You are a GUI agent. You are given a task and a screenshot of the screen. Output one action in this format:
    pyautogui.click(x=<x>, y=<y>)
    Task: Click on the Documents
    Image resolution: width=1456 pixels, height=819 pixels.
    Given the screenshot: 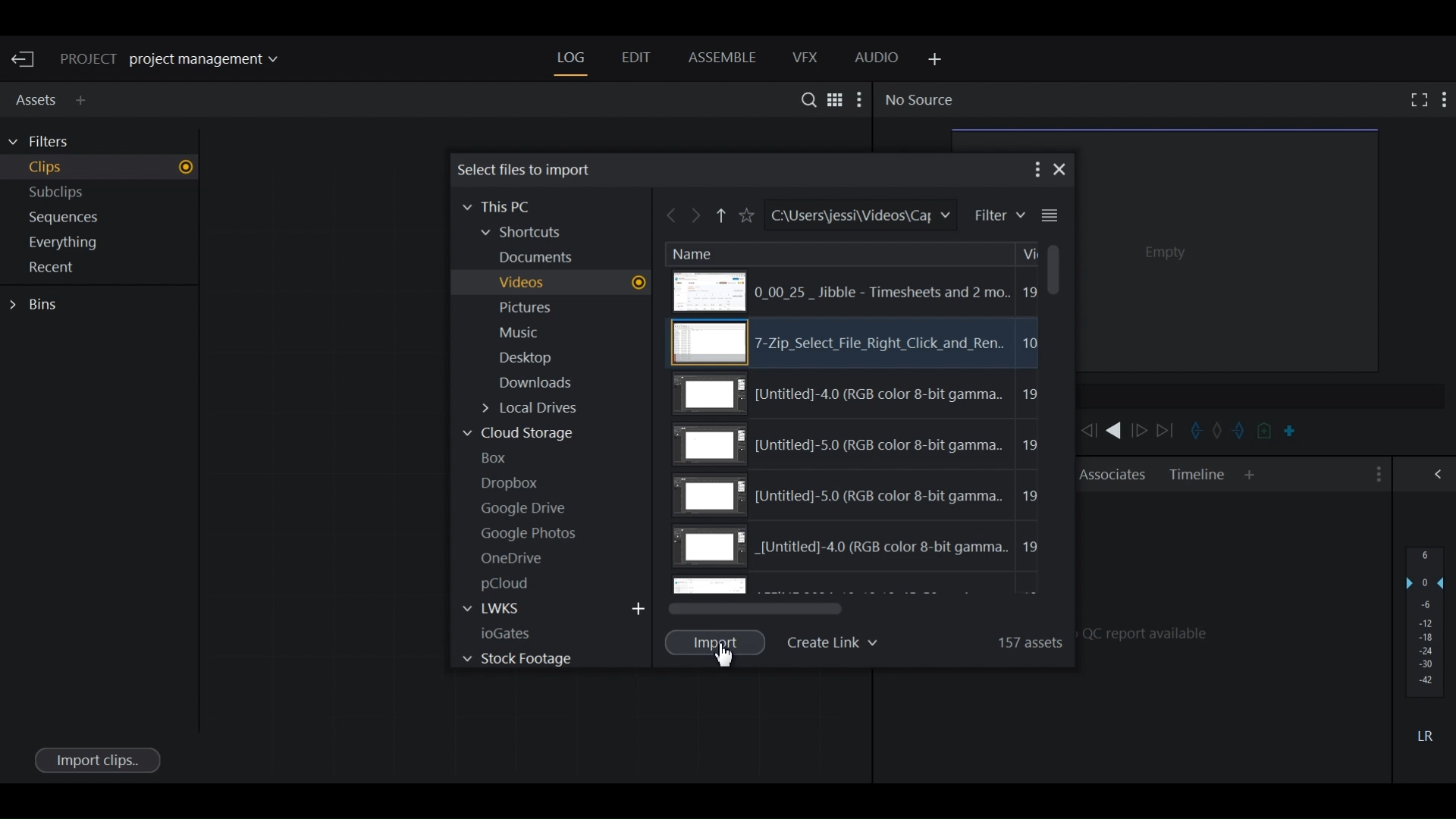 What is the action you would take?
    pyautogui.click(x=545, y=258)
    